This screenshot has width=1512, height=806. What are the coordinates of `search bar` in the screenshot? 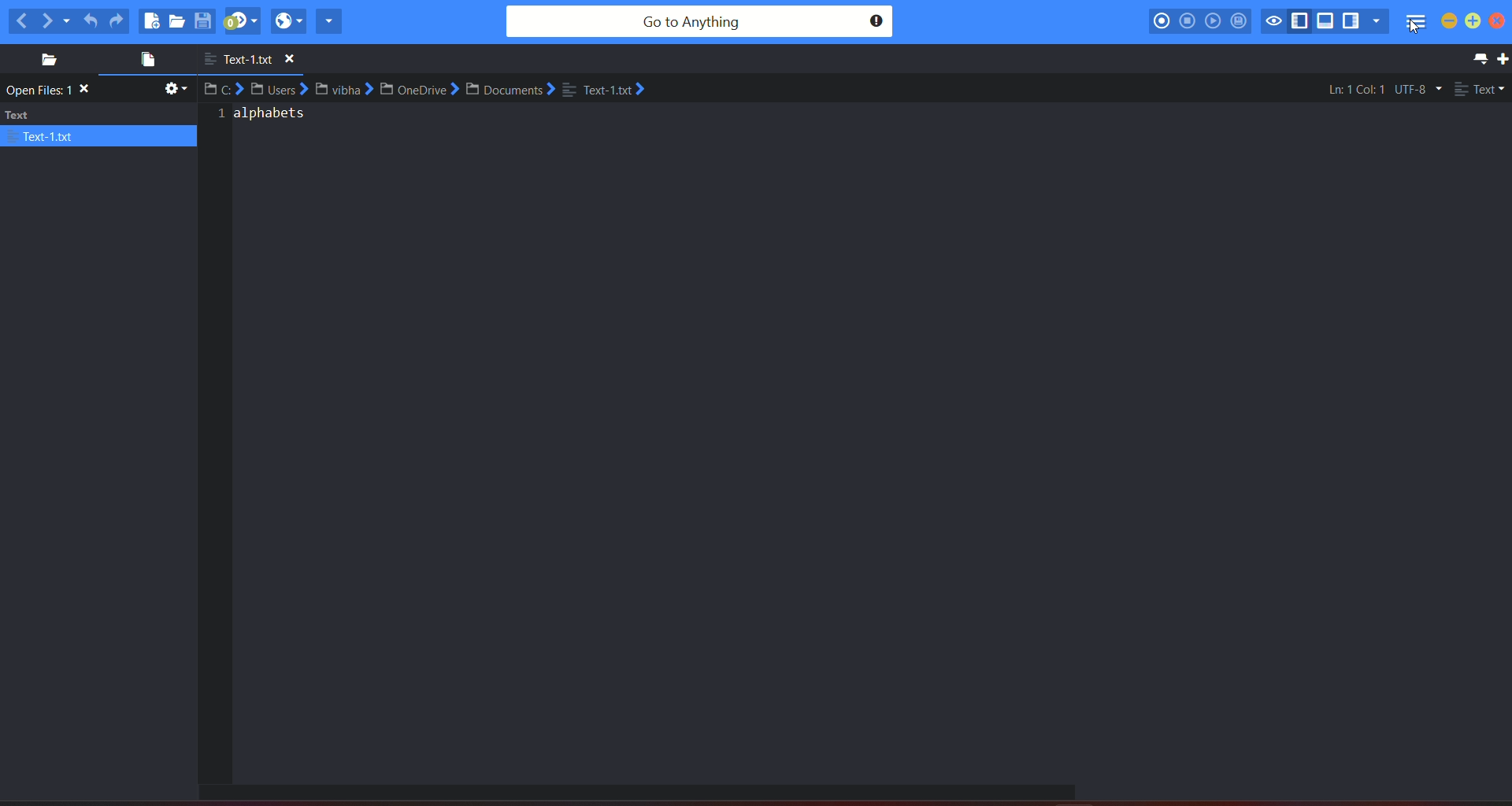 It's located at (699, 22).